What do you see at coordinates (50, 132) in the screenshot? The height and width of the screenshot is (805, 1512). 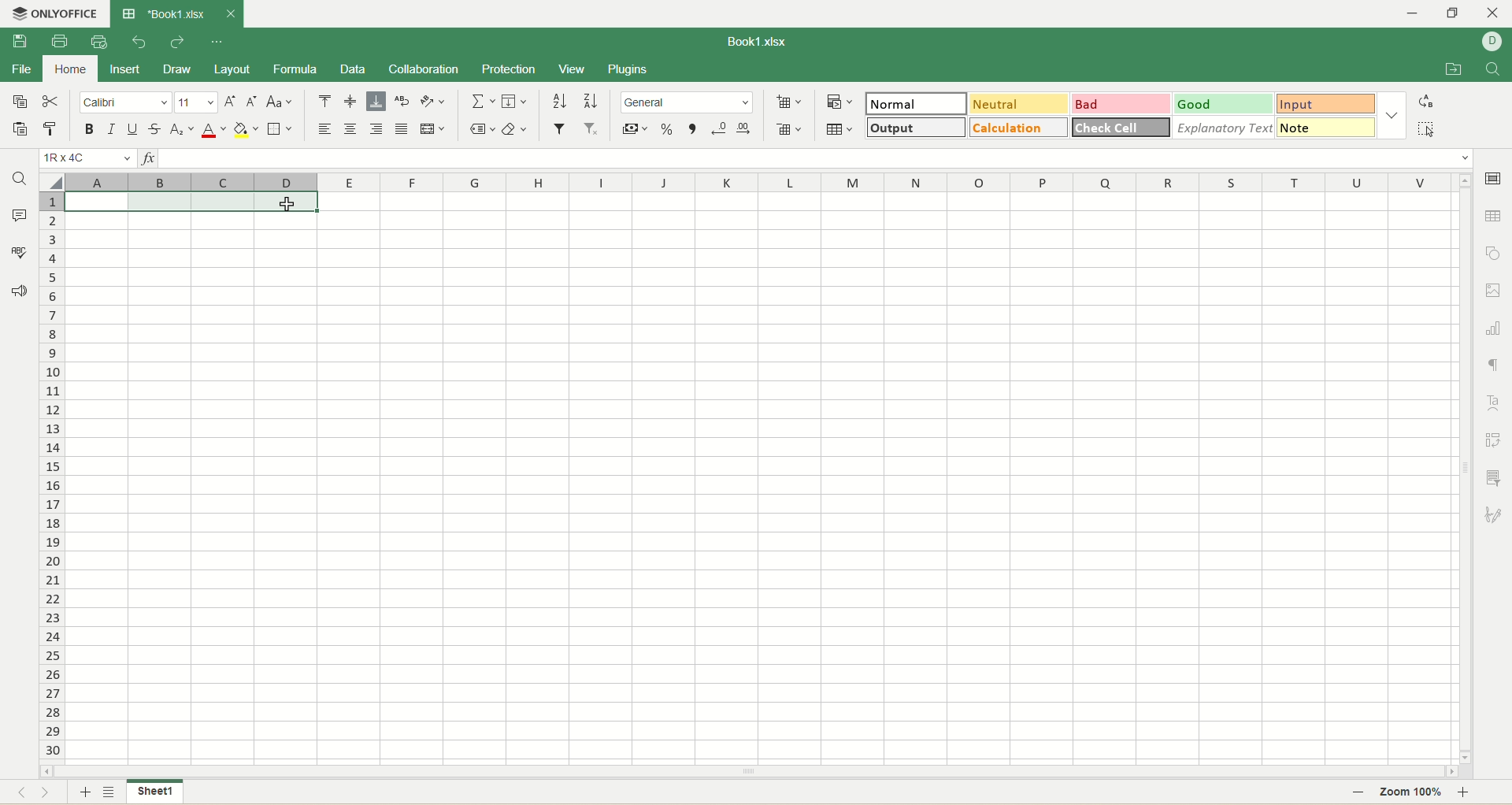 I see `copy style` at bounding box center [50, 132].